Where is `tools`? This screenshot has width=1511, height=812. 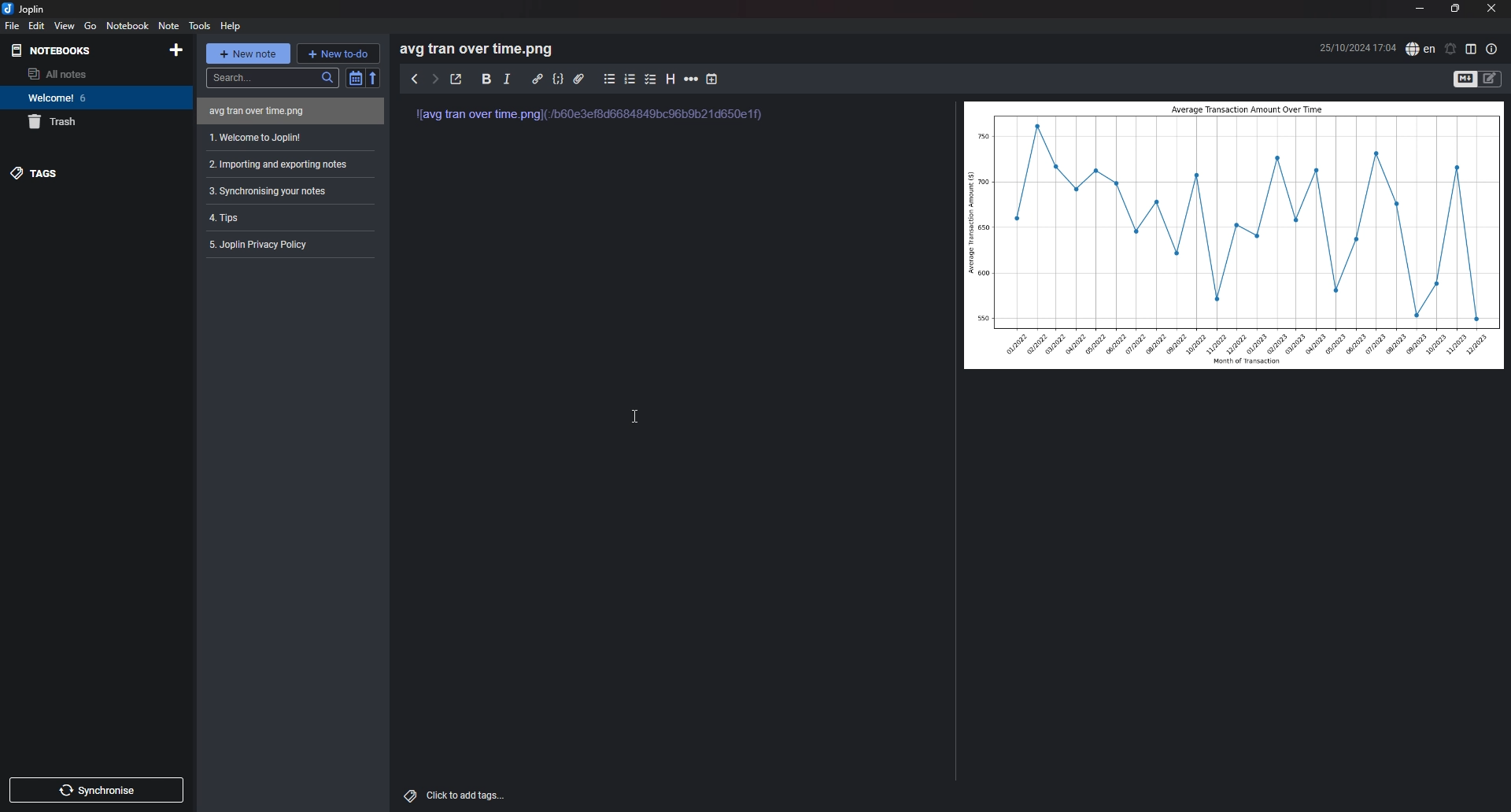
tools is located at coordinates (200, 26).